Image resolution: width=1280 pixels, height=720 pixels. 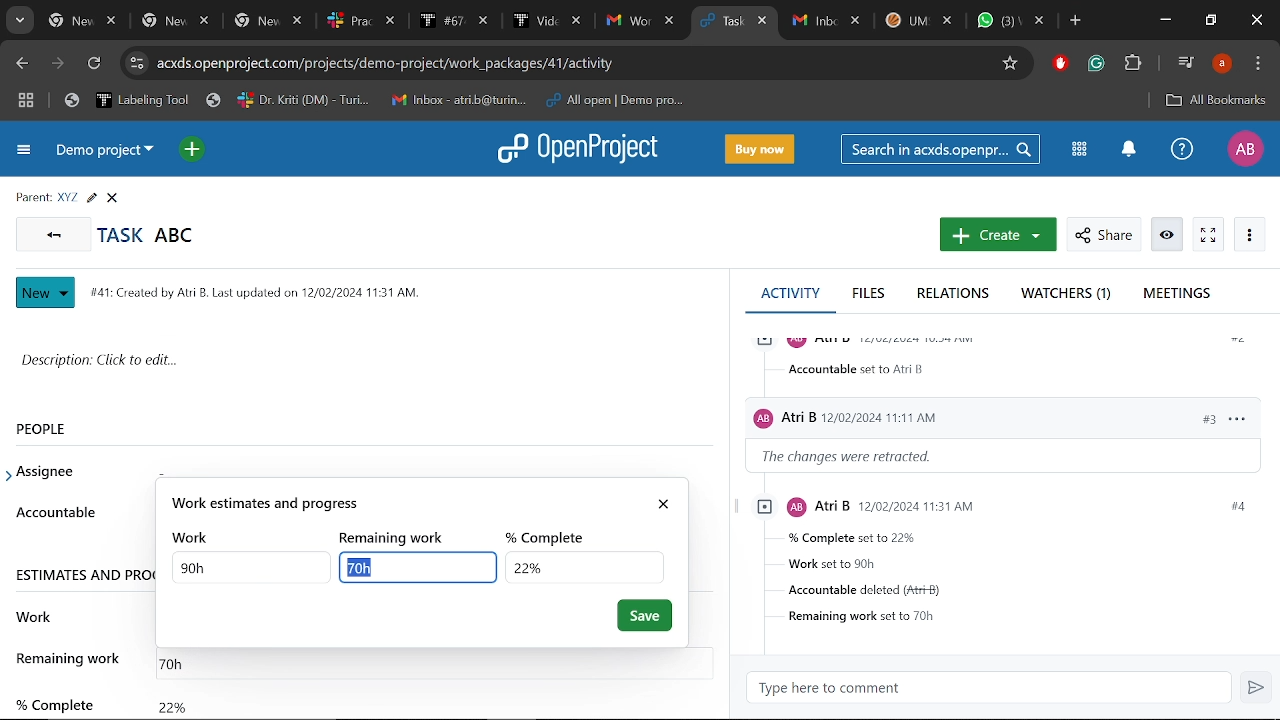 I want to click on Profile, so click(x=1221, y=64).